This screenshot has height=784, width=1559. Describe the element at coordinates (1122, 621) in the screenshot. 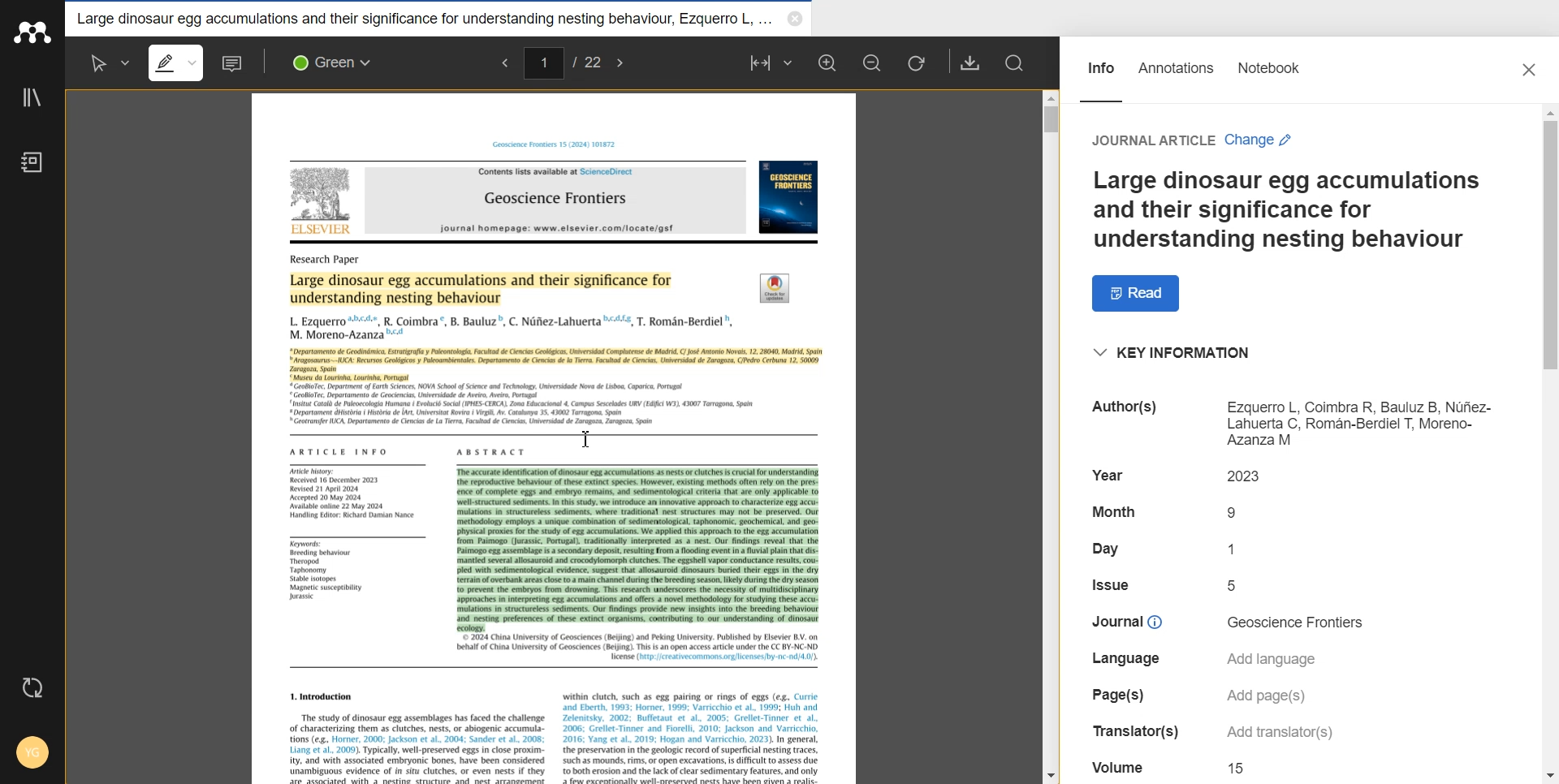

I see `text` at that location.